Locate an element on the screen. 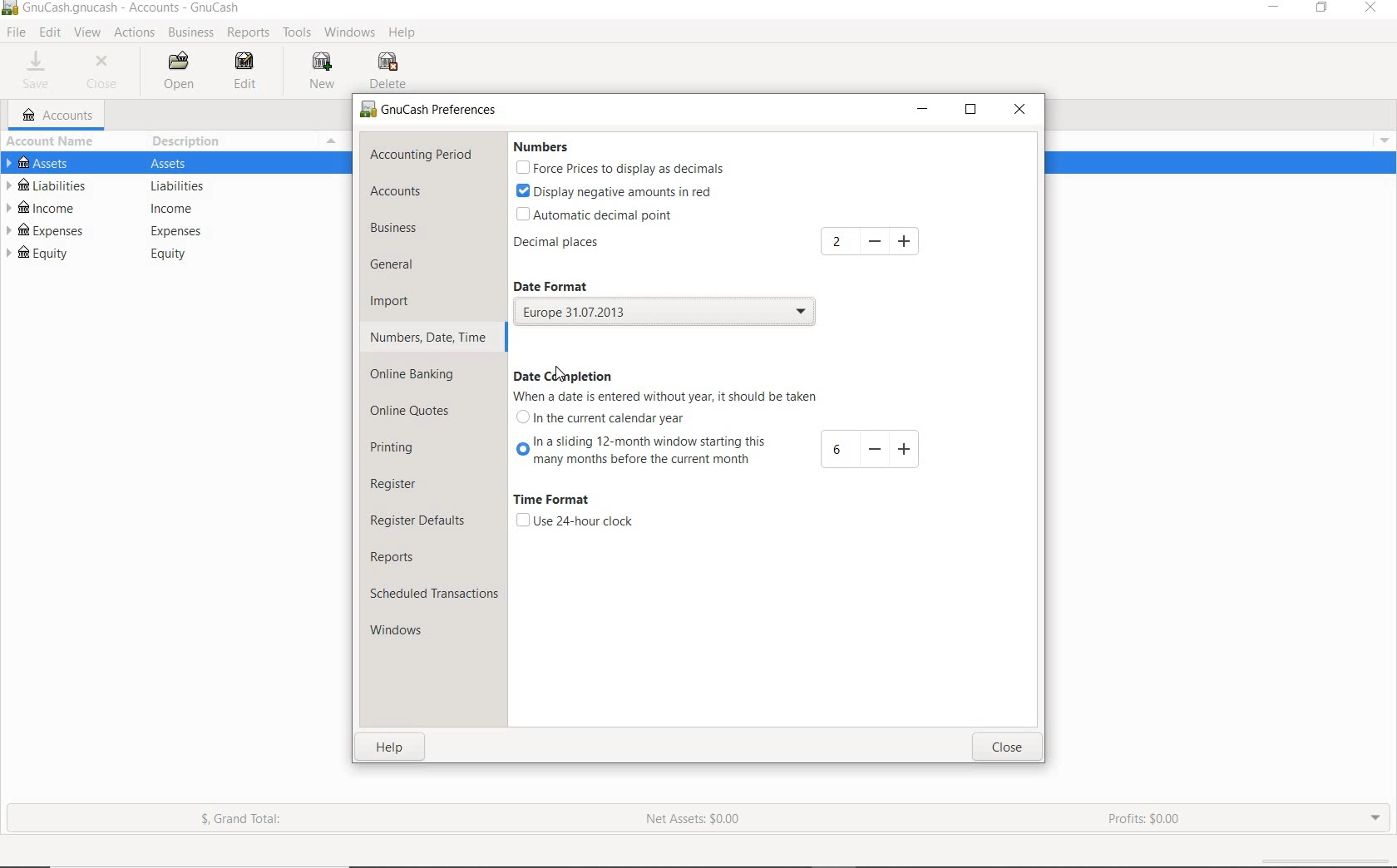  Europe date format is located at coordinates (671, 312).